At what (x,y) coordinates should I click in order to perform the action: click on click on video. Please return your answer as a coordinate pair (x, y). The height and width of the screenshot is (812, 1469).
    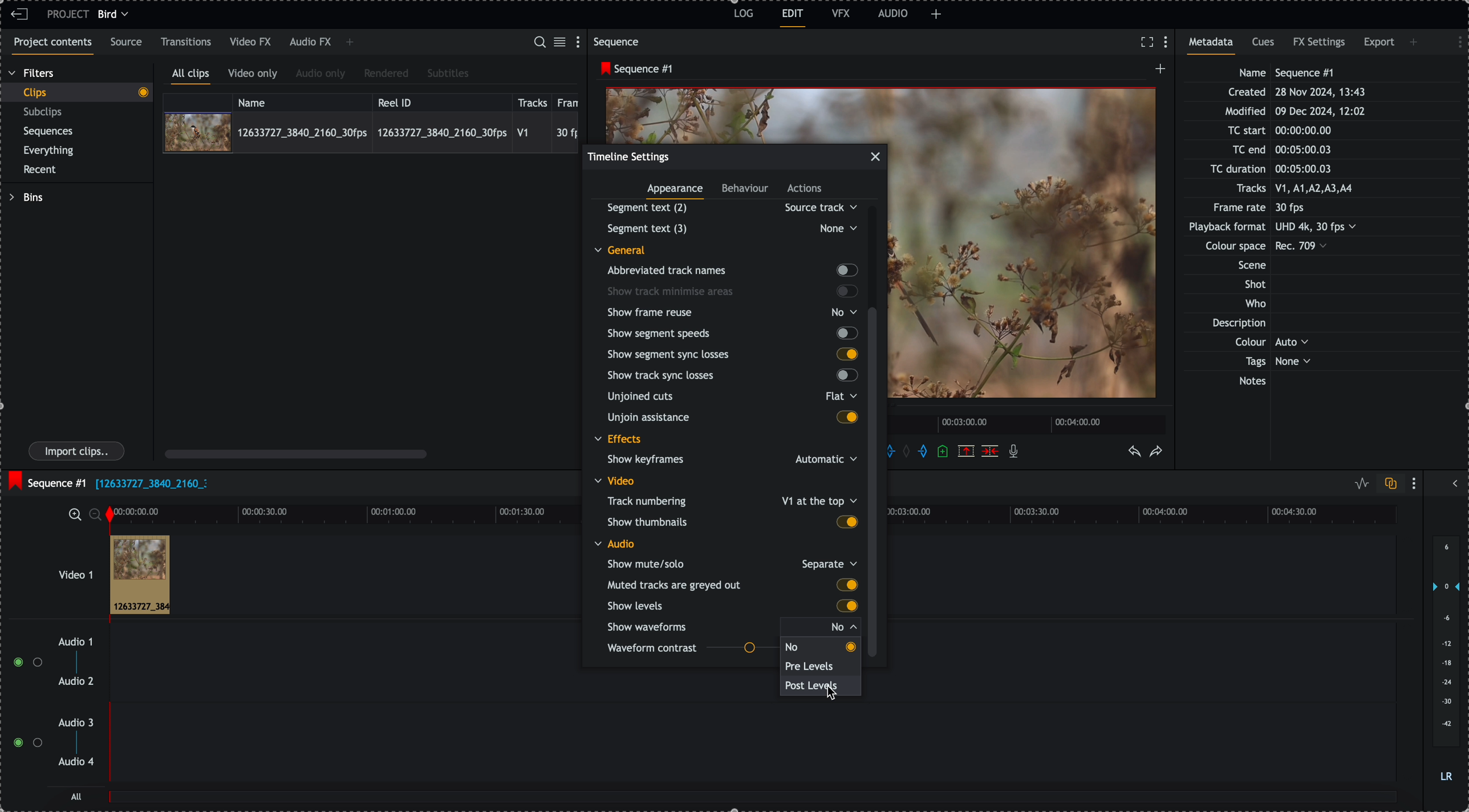
    Looking at the image, I should click on (371, 132).